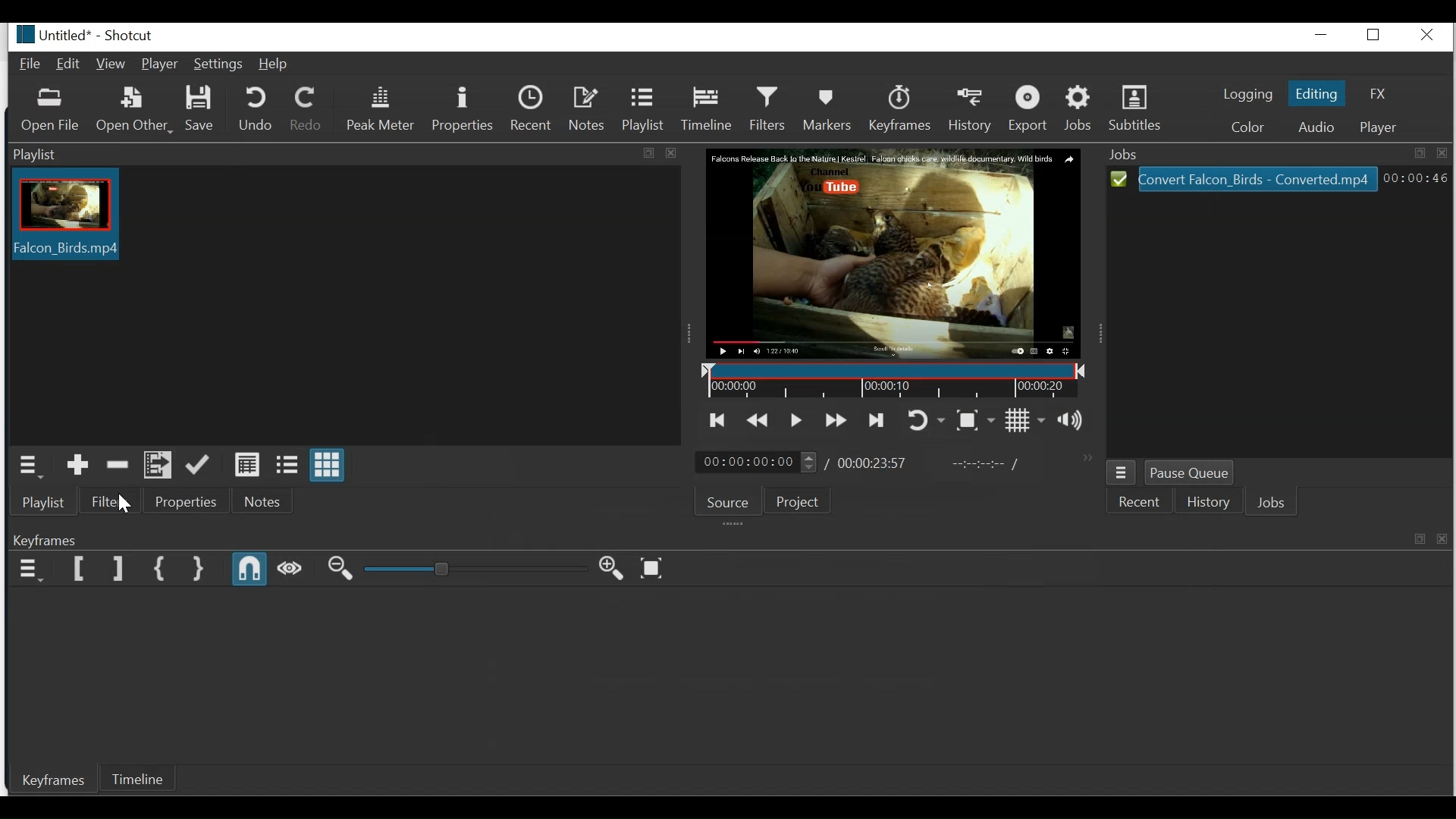  I want to click on Set Filter First, so click(80, 570).